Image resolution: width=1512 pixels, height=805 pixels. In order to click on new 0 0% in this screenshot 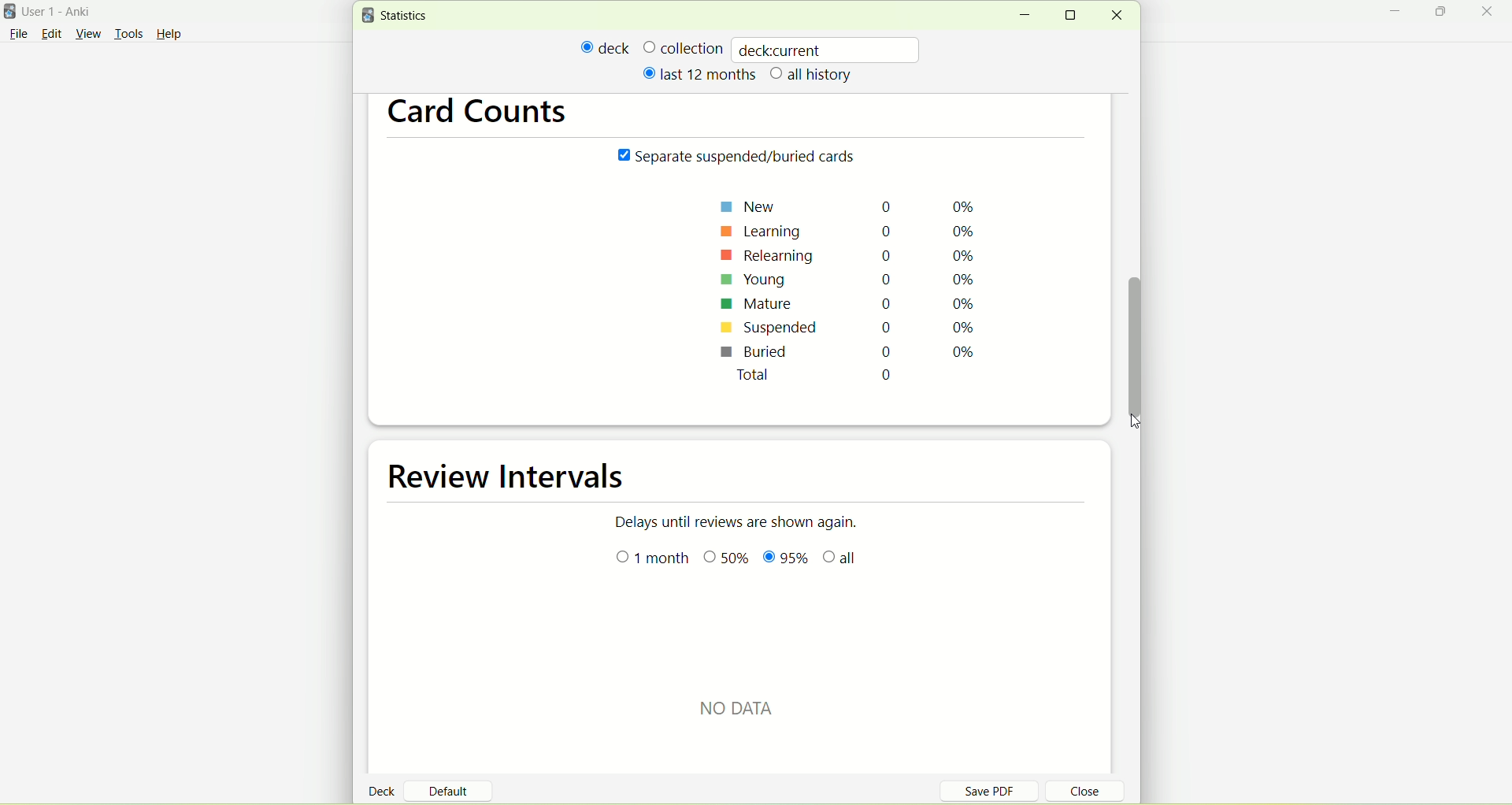, I will do `click(852, 206)`.